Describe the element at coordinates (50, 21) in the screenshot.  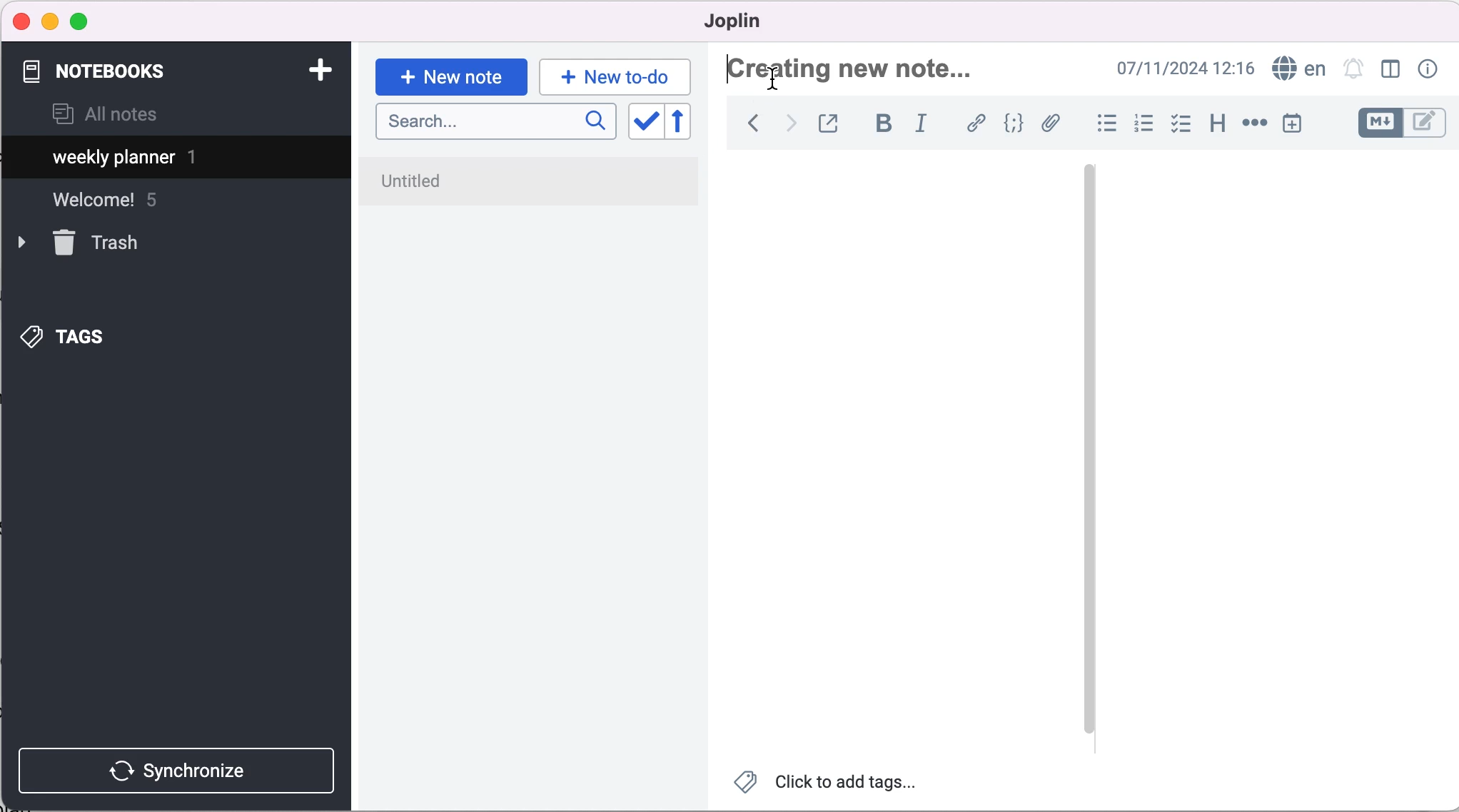
I see `minimize` at that location.